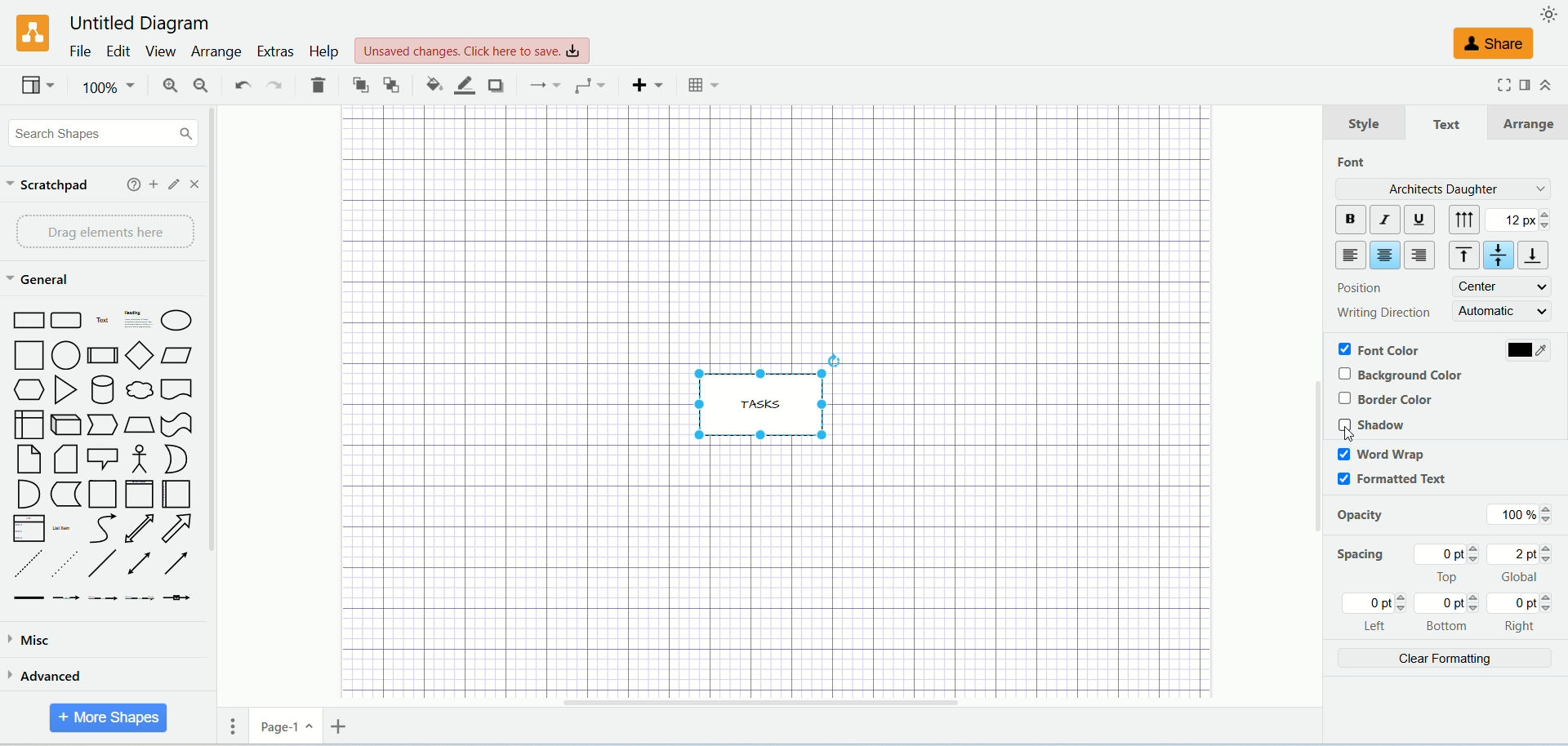  What do you see at coordinates (357, 83) in the screenshot?
I see `to front` at bounding box center [357, 83].